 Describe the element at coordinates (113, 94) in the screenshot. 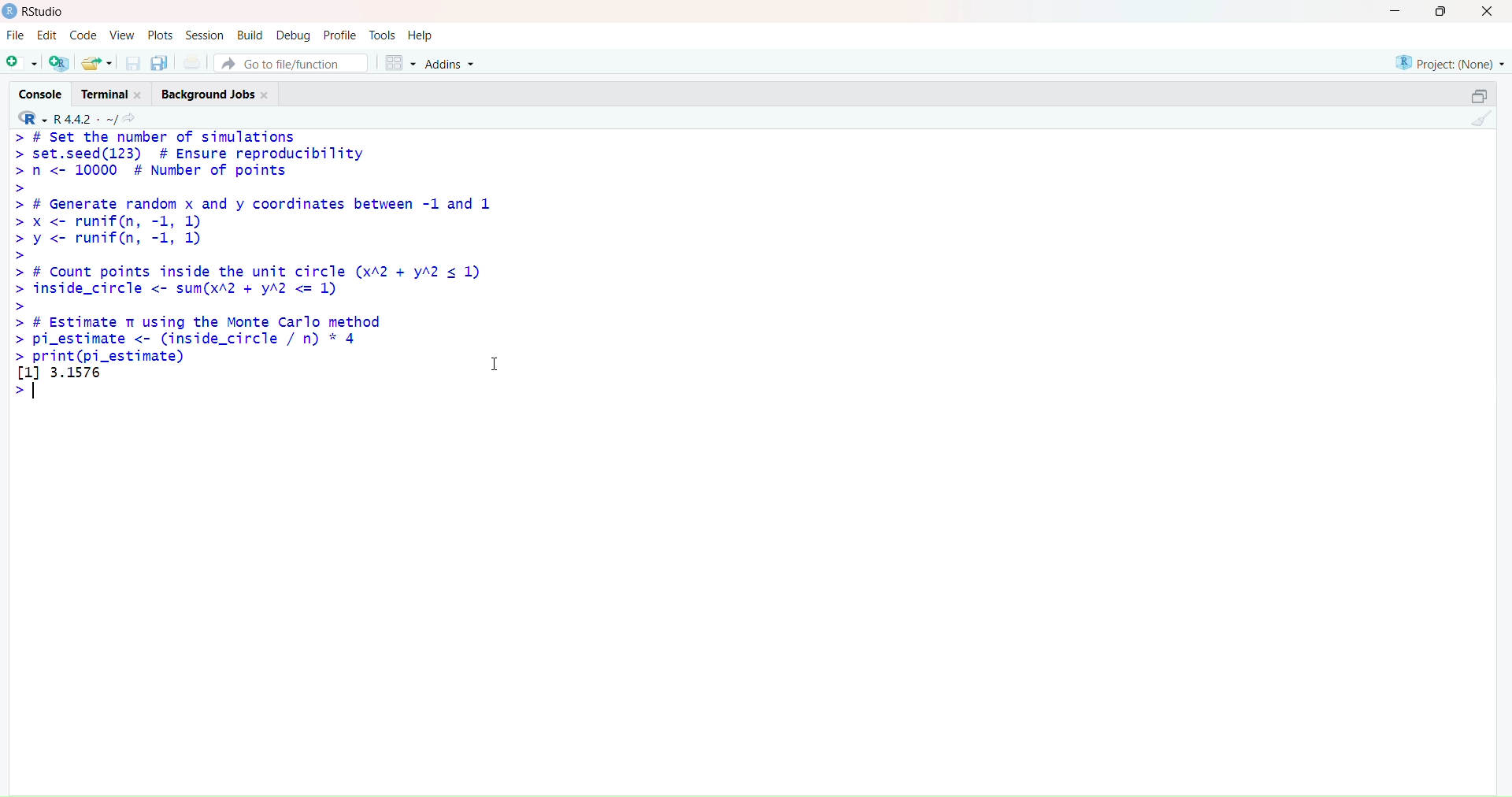

I see `Terminal` at that location.